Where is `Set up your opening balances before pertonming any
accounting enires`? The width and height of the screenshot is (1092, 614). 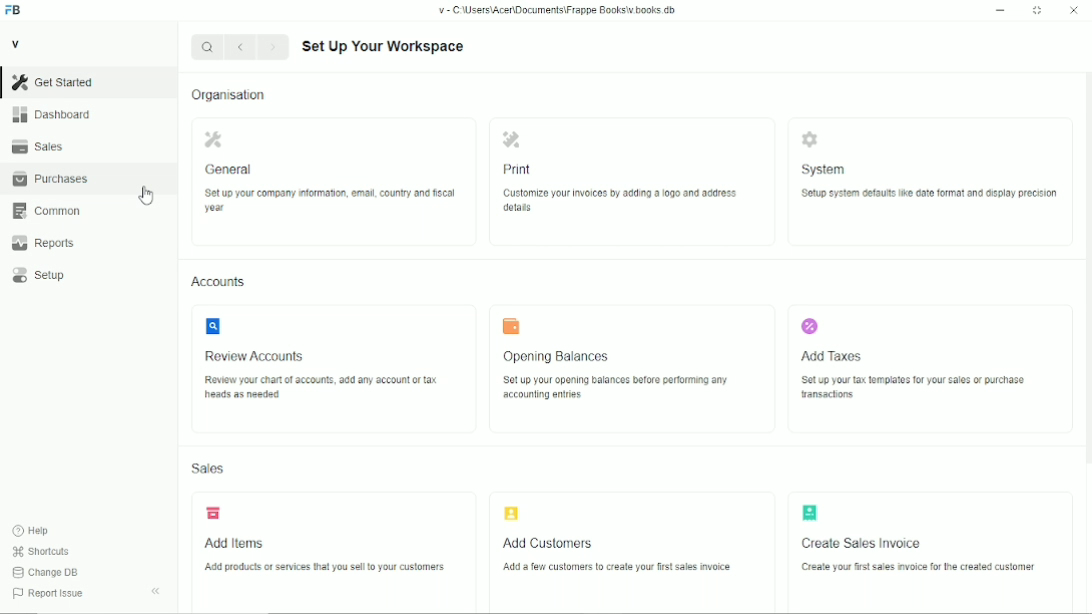 Set up your opening balances before pertonming any
accounting enires is located at coordinates (617, 390).